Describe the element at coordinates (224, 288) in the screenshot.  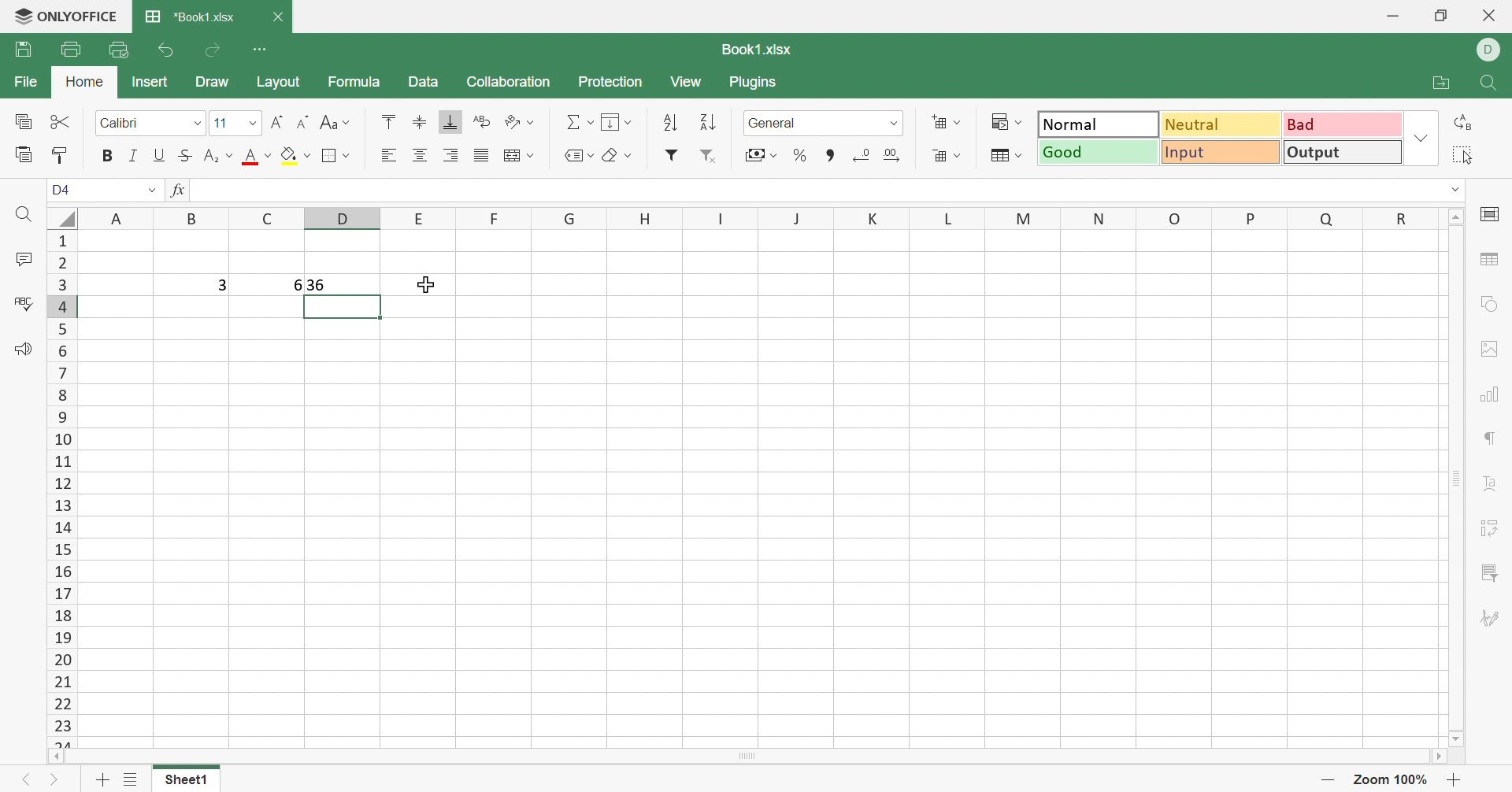
I see `3` at that location.